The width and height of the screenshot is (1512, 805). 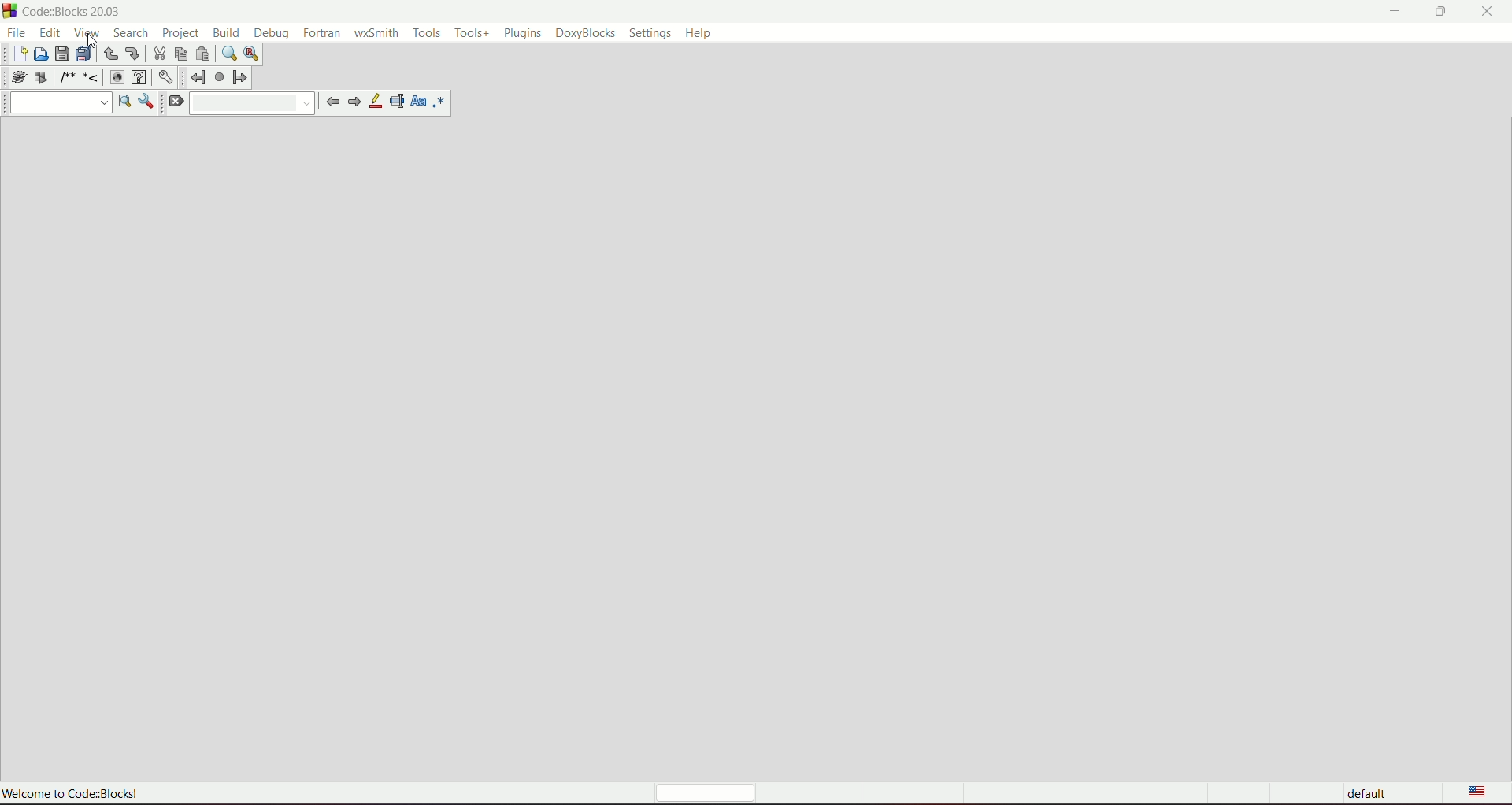 I want to click on jump forward, so click(x=244, y=77).